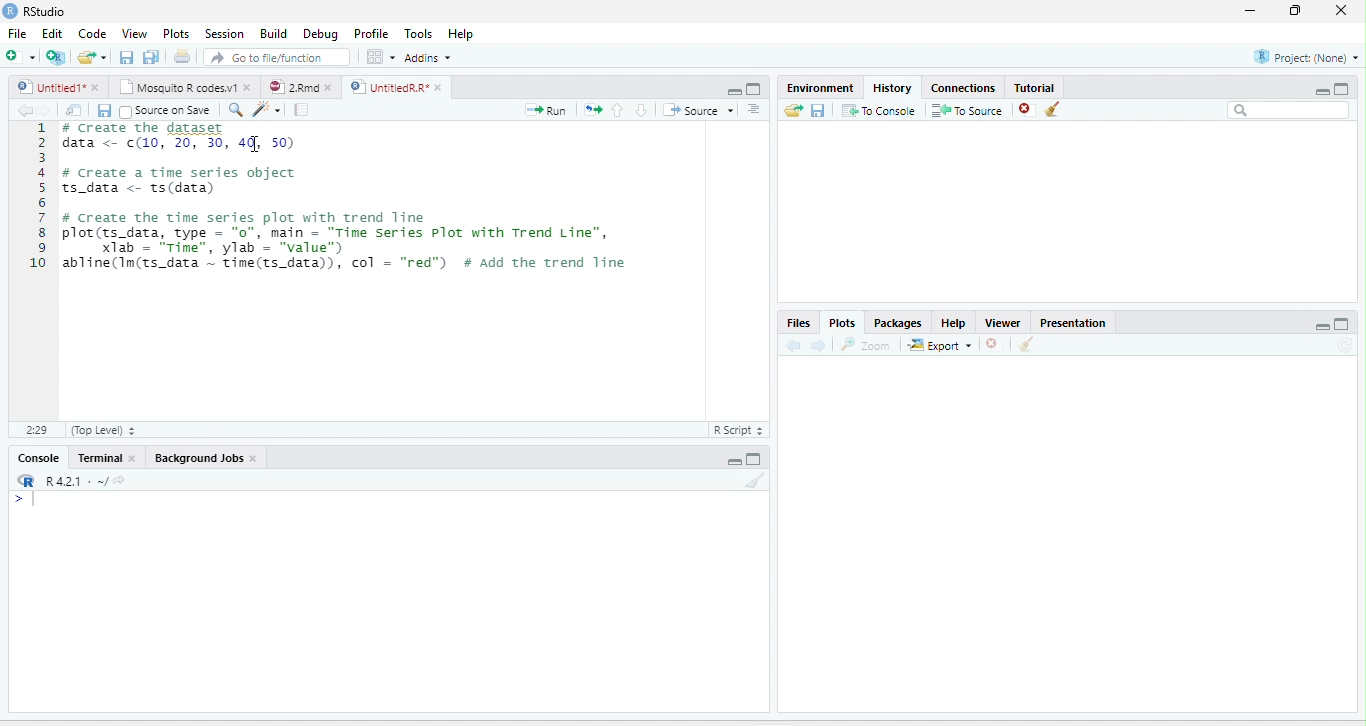 The image size is (1366, 726). Describe the element at coordinates (592, 110) in the screenshot. I see `Re-run the previous code region` at that location.